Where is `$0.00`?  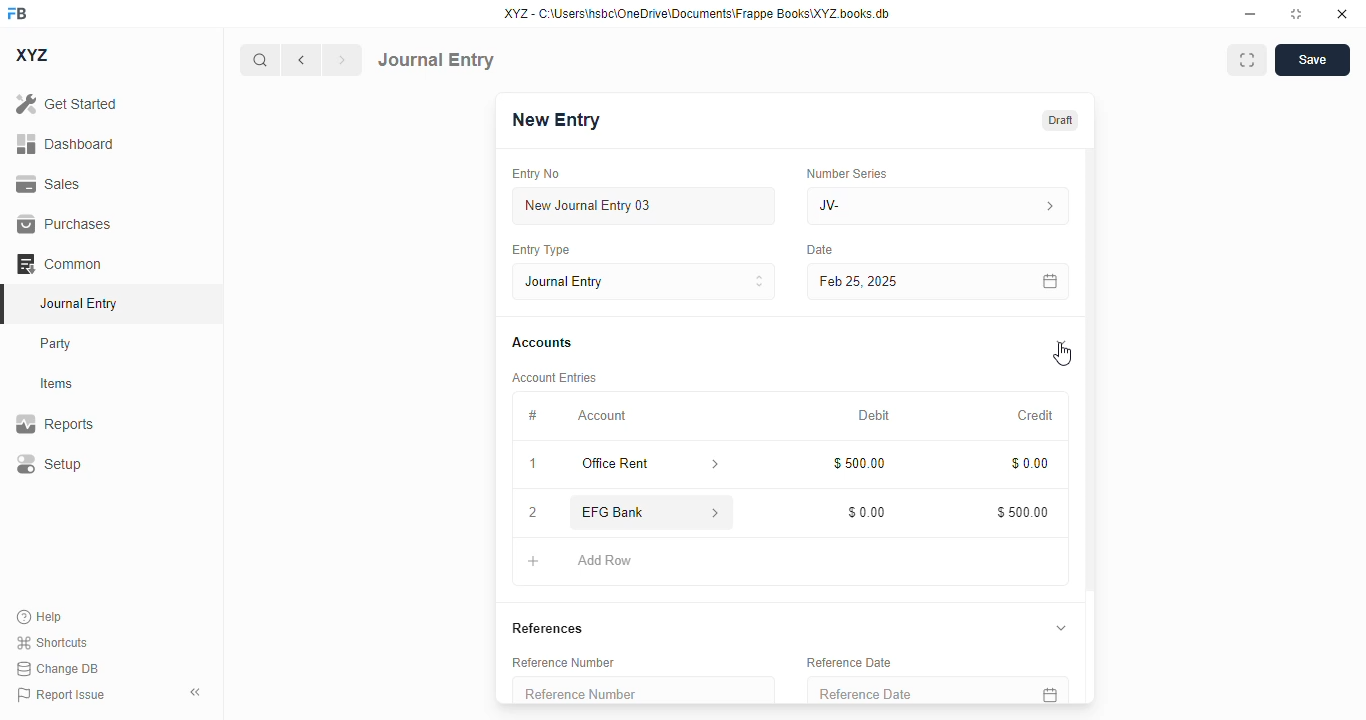
$0.00 is located at coordinates (1031, 464).